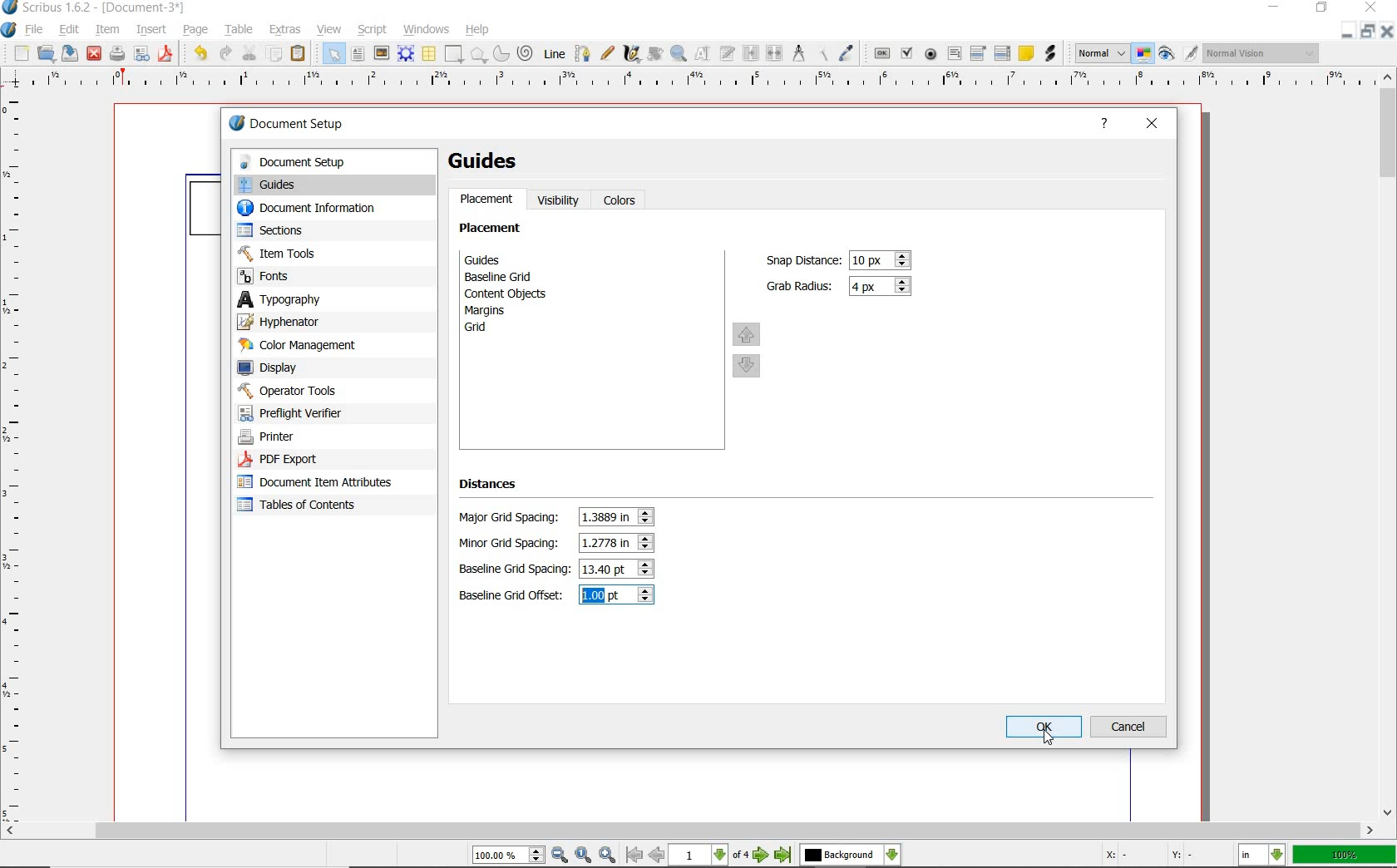 The width and height of the screenshot is (1397, 868). Describe the element at coordinates (1345, 855) in the screenshot. I see `100%` at that location.